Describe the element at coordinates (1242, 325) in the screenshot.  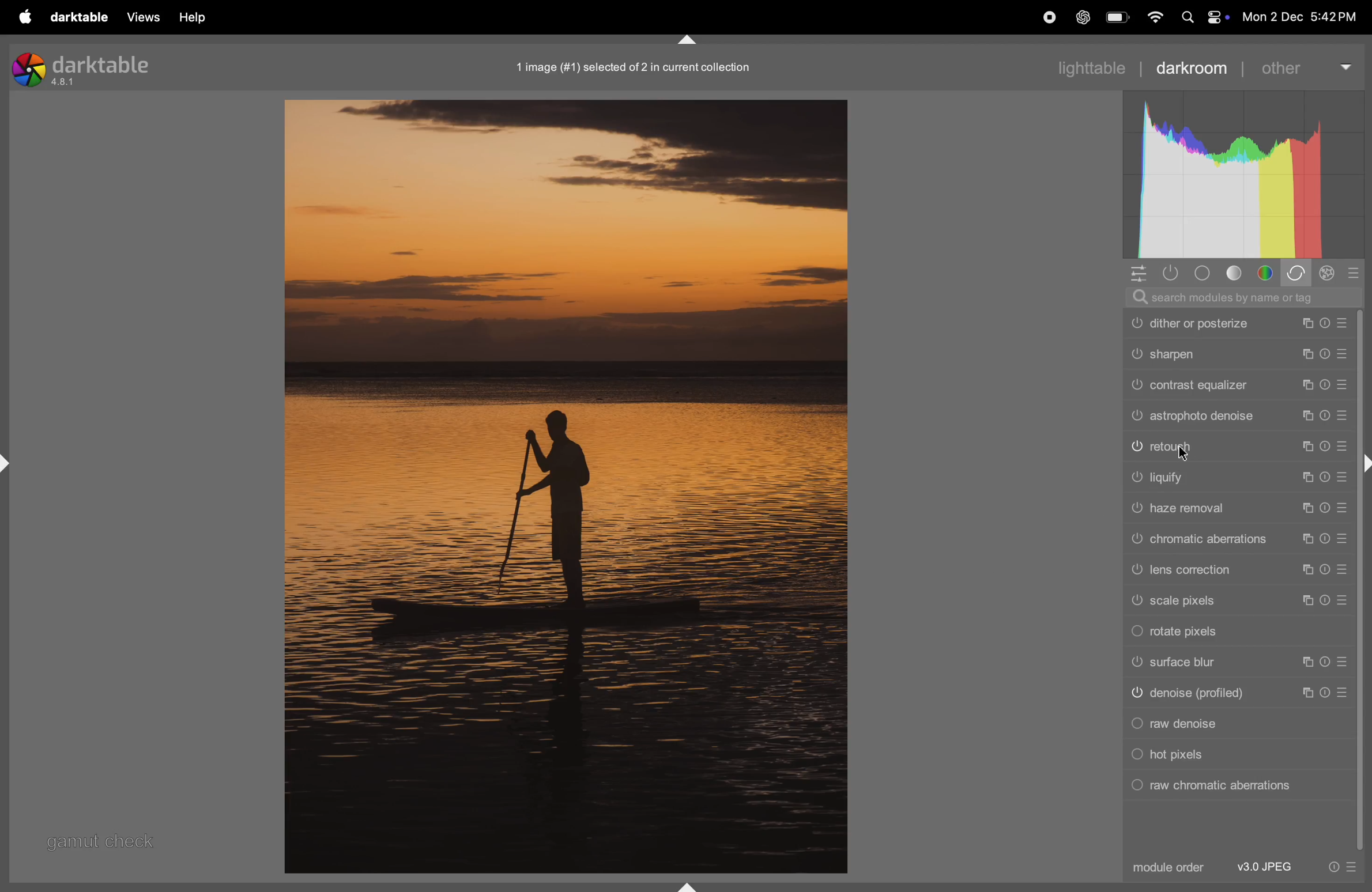
I see `differ or posterize` at that location.